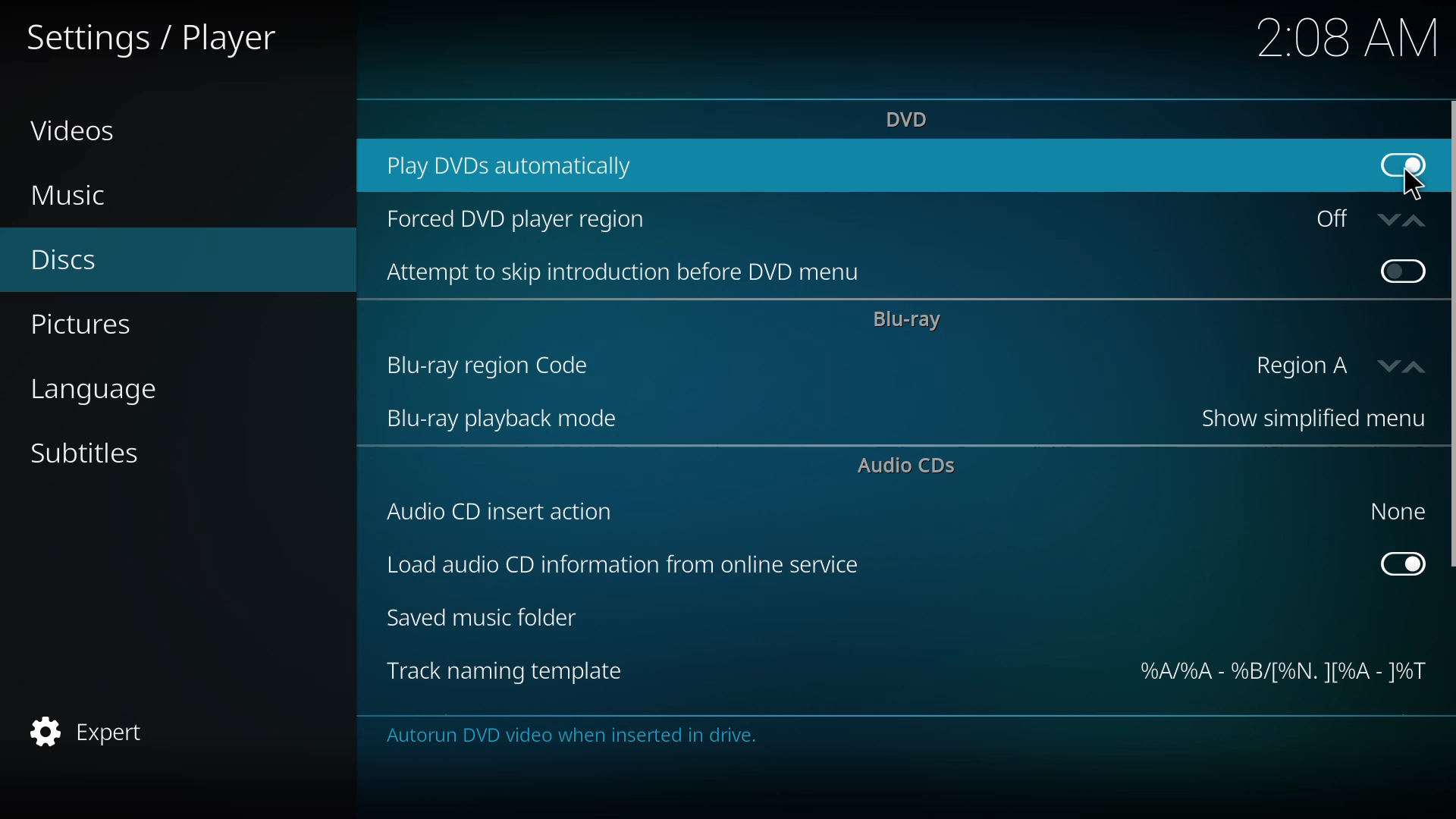 Image resolution: width=1456 pixels, height=819 pixels. What do you see at coordinates (1411, 182) in the screenshot?
I see `cursor` at bounding box center [1411, 182].